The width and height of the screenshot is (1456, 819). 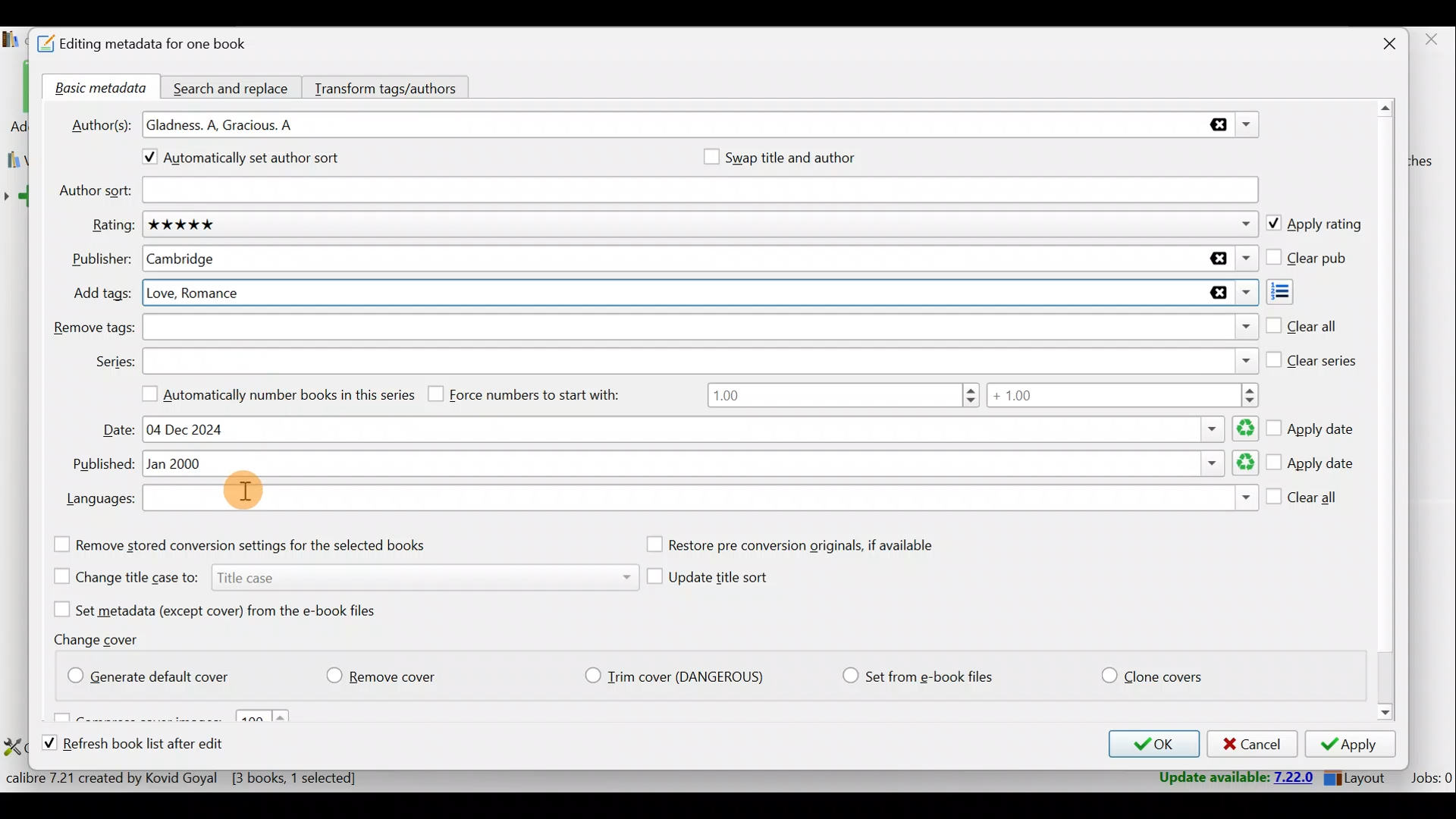 What do you see at coordinates (234, 609) in the screenshot?
I see `Set metadata (except cover) from the e-book files` at bounding box center [234, 609].